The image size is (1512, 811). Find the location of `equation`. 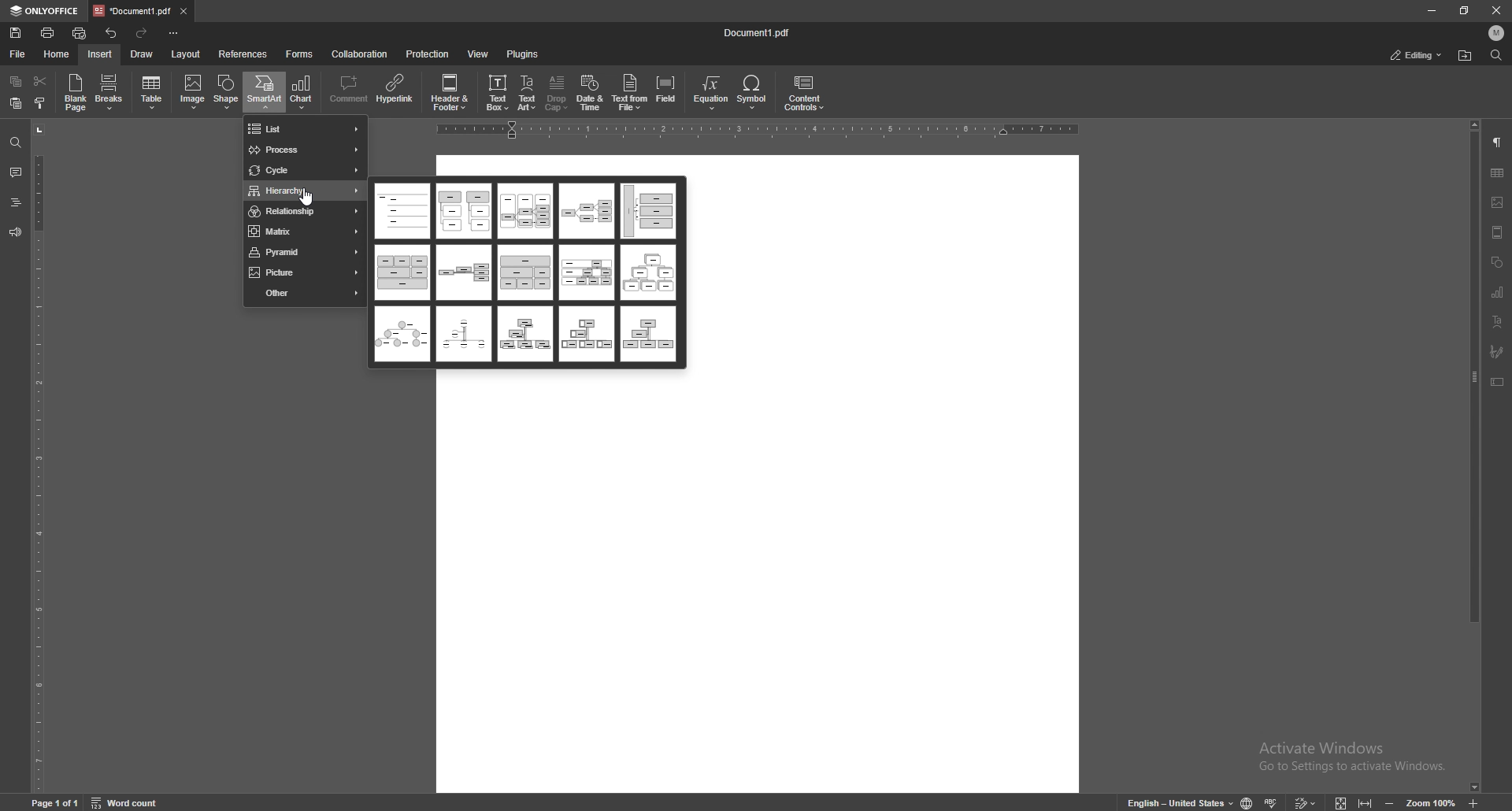

equation is located at coordinates (713, 92).